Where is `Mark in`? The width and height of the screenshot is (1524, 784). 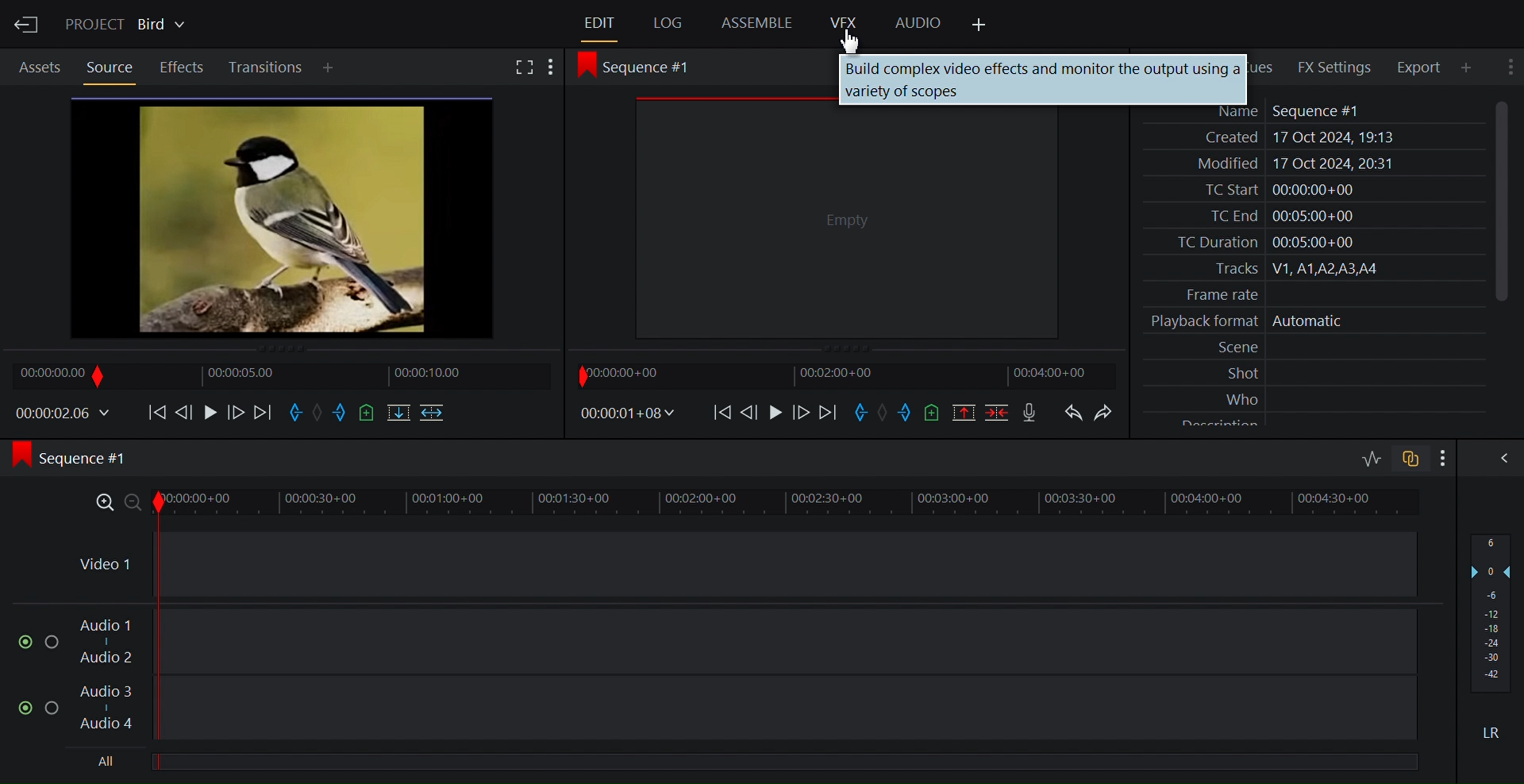 Mark in is located at coordinates (294, 413).